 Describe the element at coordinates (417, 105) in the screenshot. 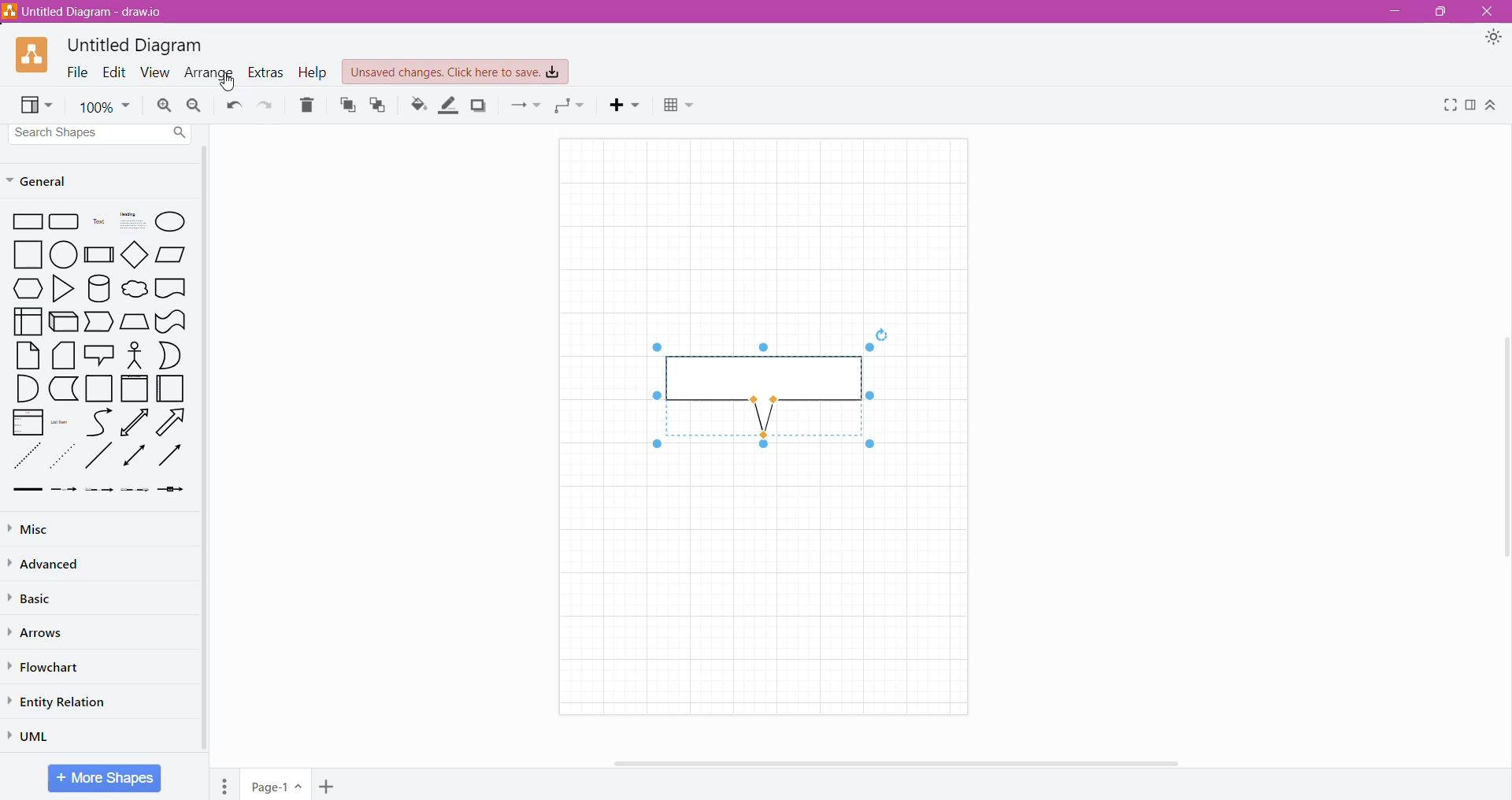

I see `Fill Color` at that location.